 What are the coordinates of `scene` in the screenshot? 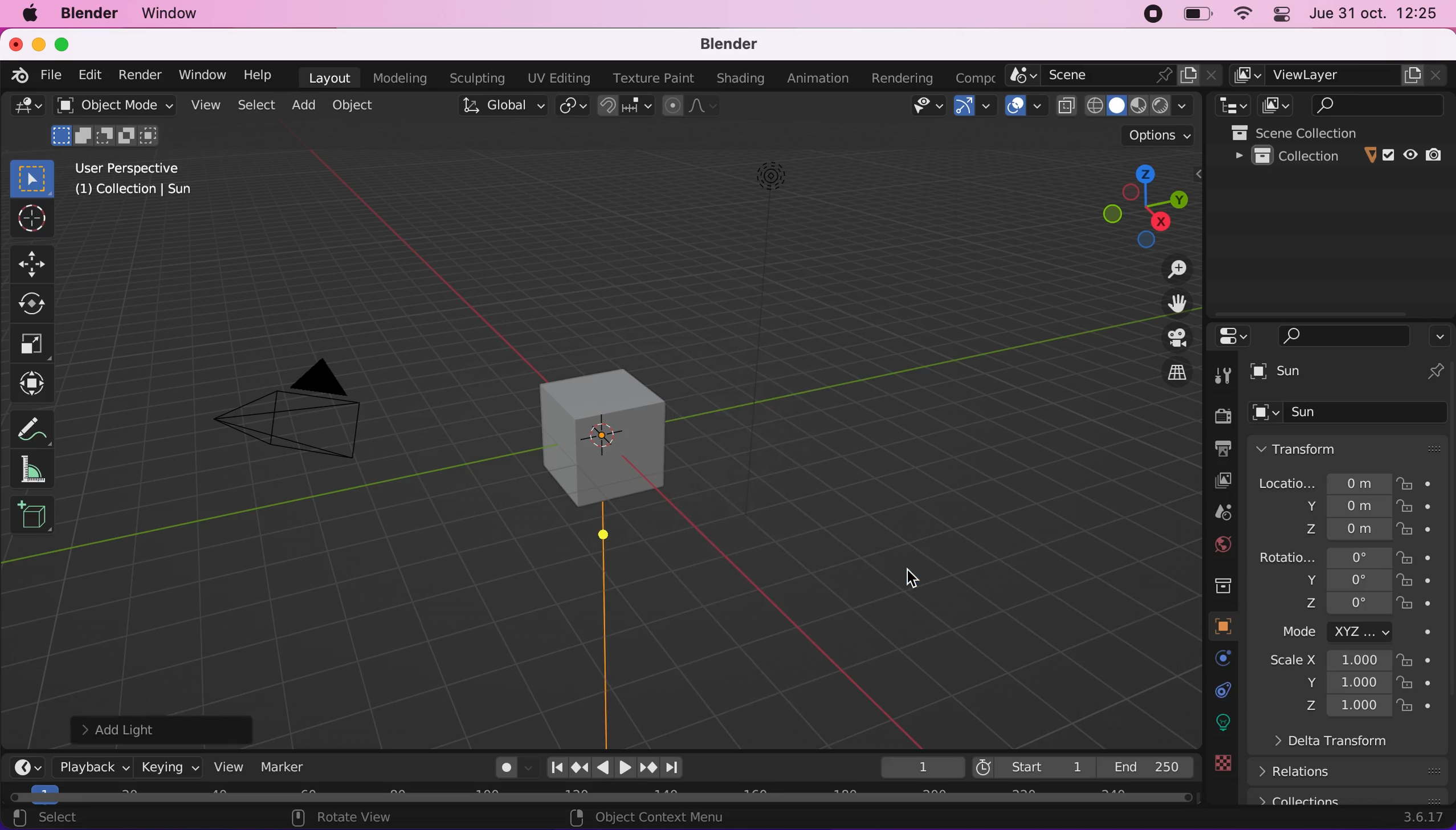 It's located at (1114, 75).